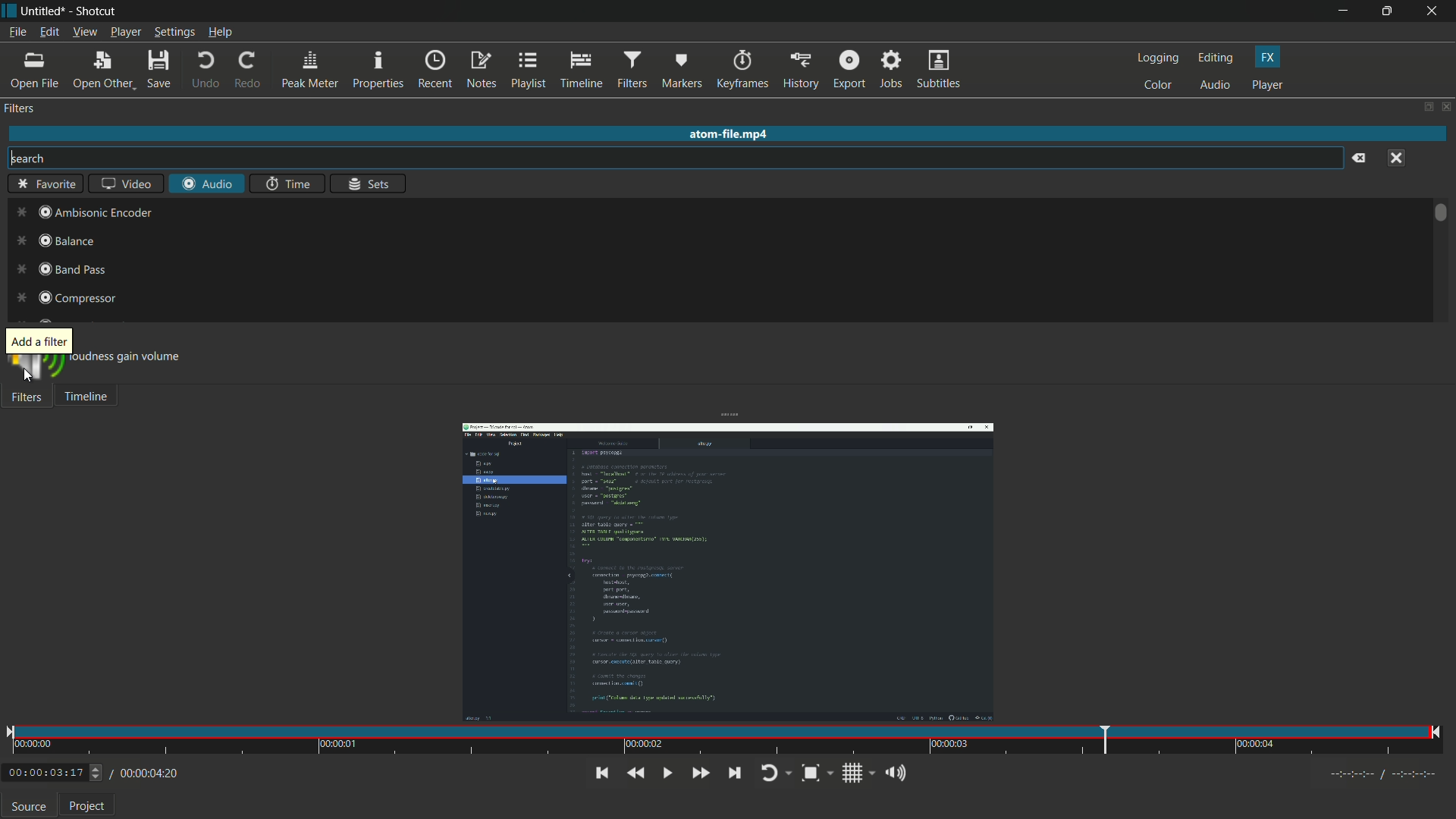 The image size is (1456, 819). Describe the element at coordinates (17, 32) in the screenshot. I see `file menu` at that location.